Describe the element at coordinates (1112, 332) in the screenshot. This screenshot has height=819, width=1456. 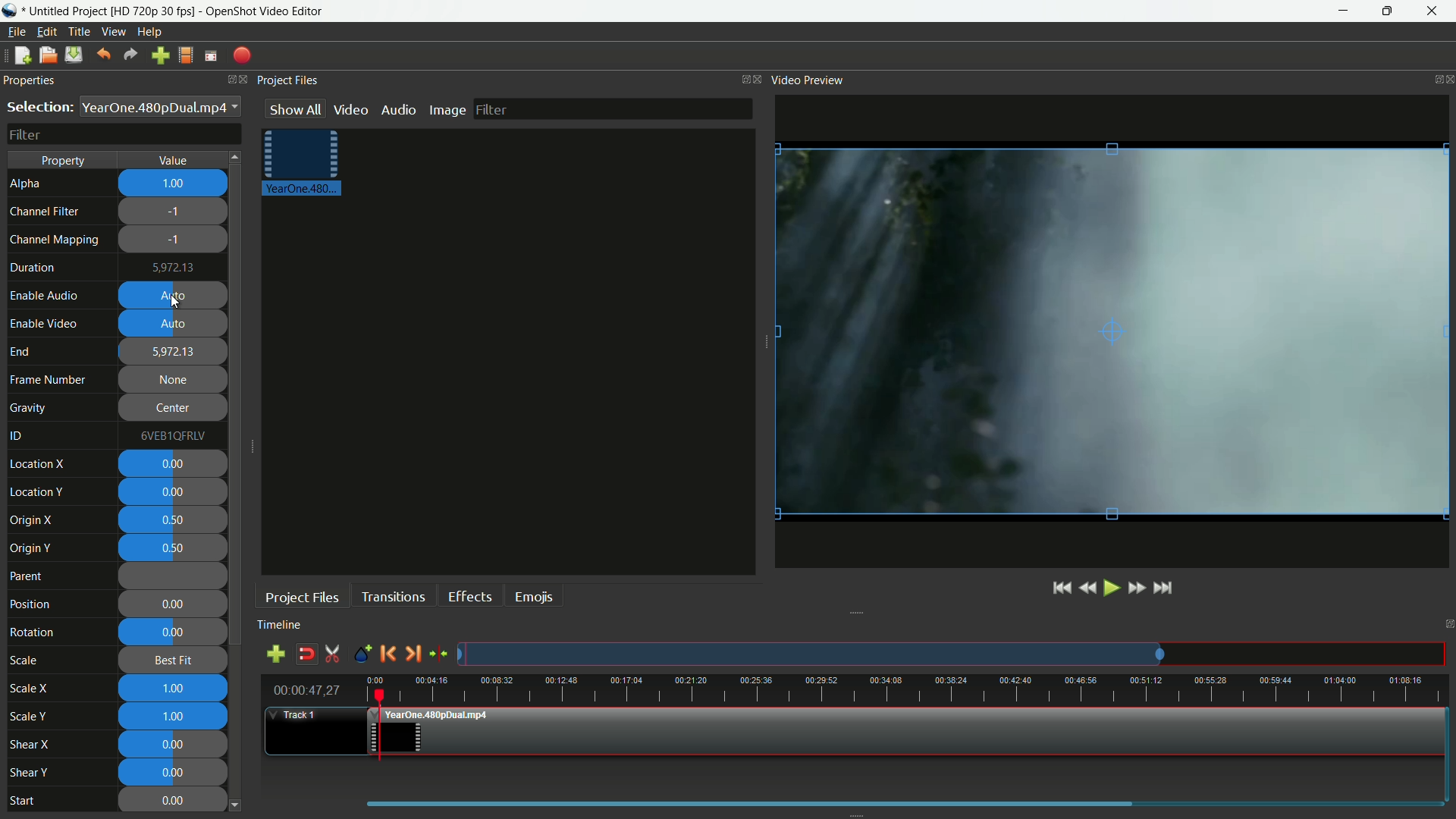
I see `video preview` at that location.